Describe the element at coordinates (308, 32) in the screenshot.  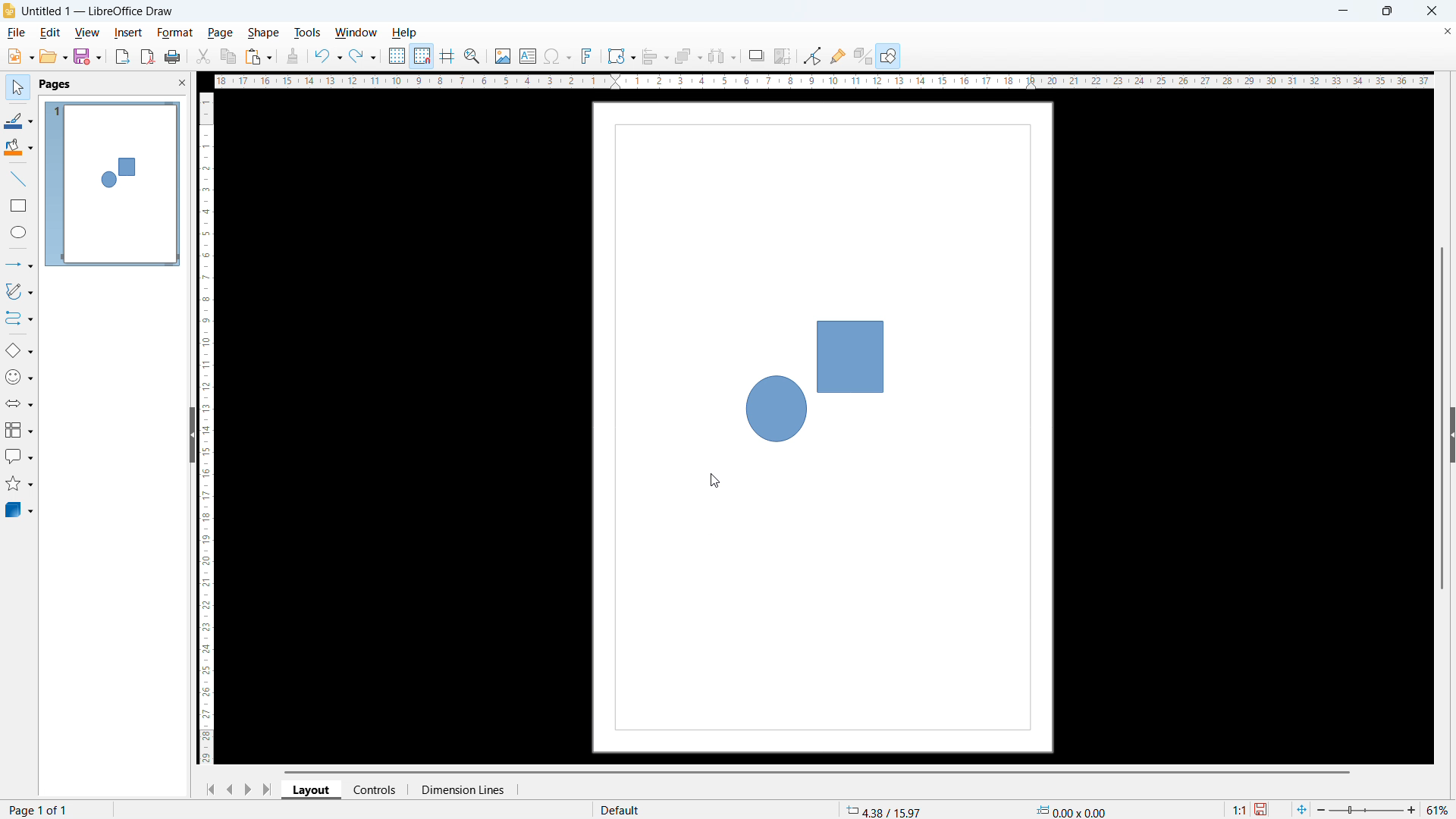
I see `tools` at that location.